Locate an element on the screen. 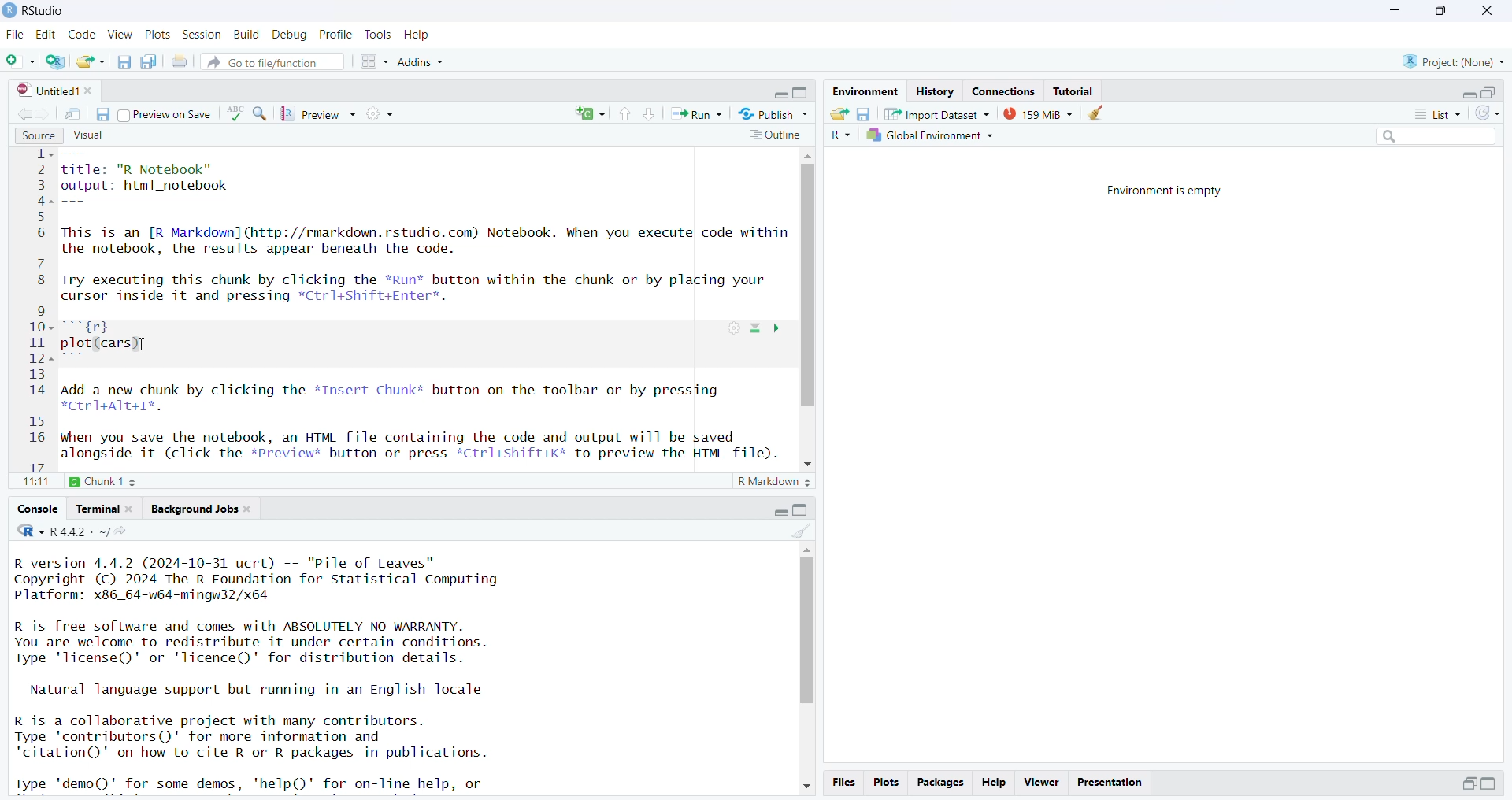 The width and height of the screenshot is (1512, 800). collapse is located at coordinates (802, 509).